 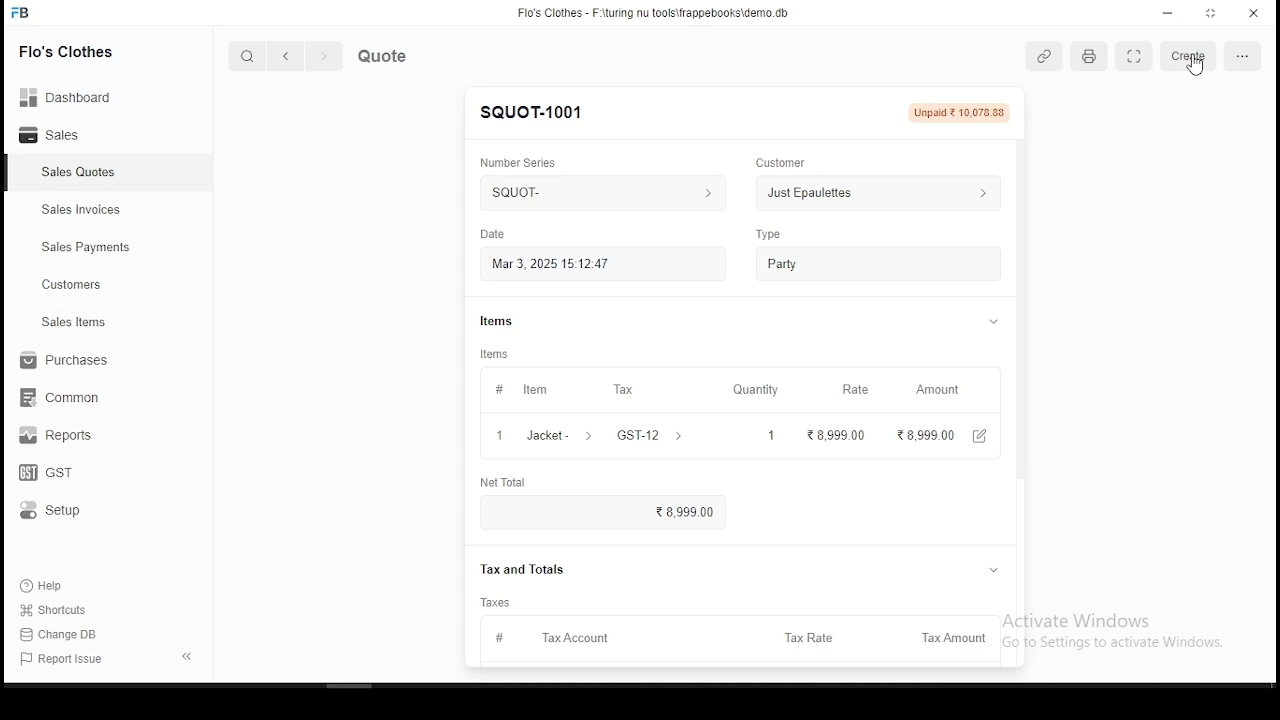 I want to click on cursor, so click(x=1191, y=68).